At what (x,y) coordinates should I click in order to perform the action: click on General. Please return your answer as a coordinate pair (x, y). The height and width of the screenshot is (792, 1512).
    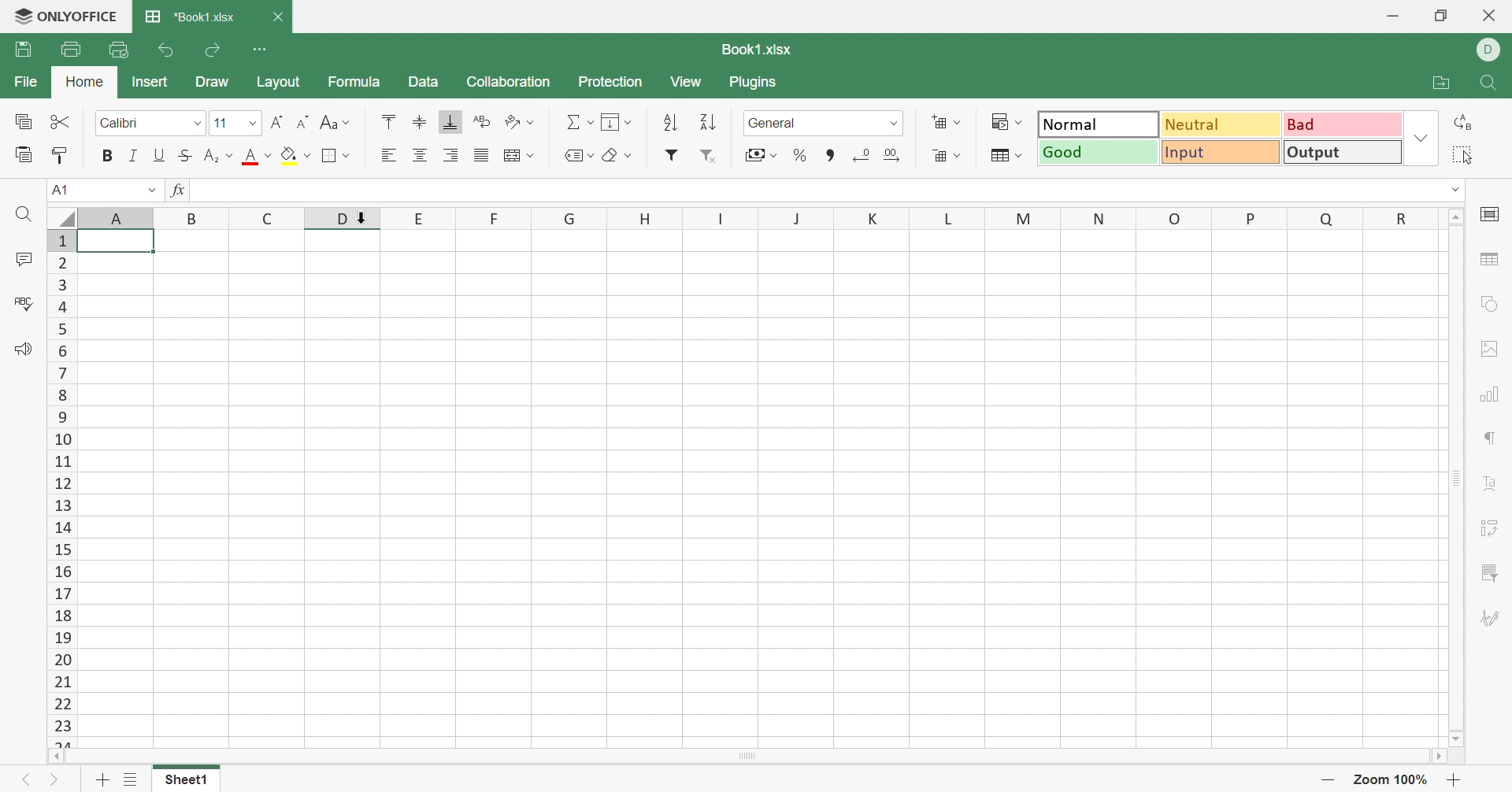
    Looking at the image, I should click on (776, 121).